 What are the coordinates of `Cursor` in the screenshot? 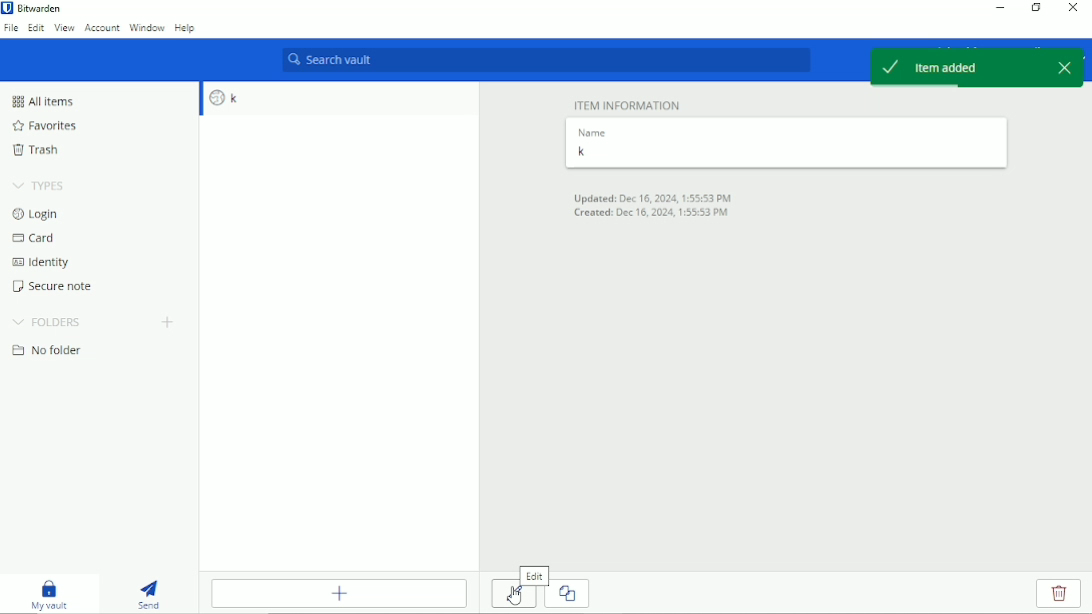 It's located at (515, 598).